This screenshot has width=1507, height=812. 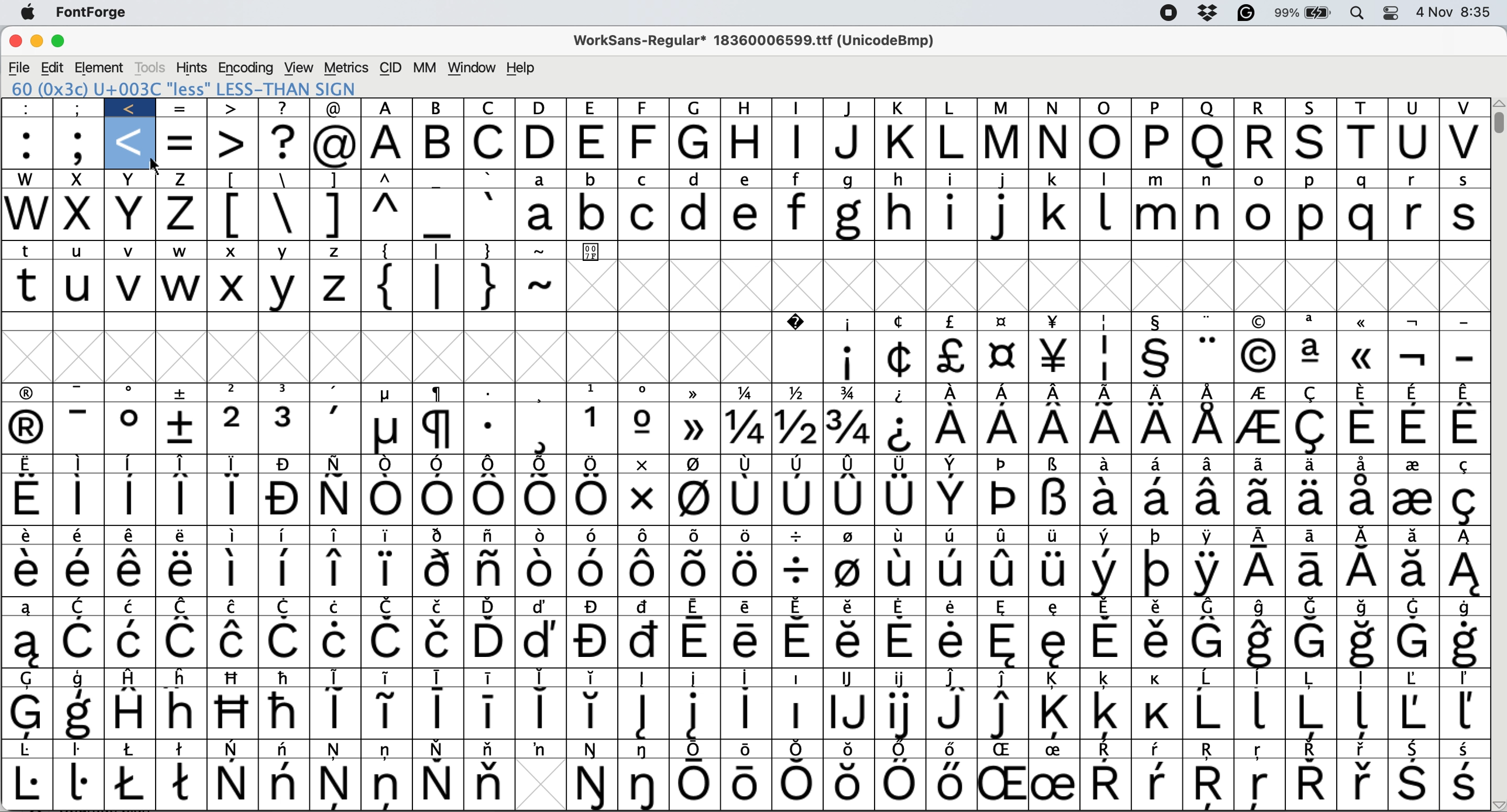 I want to click on Symbol, so click(x=797, y=785).